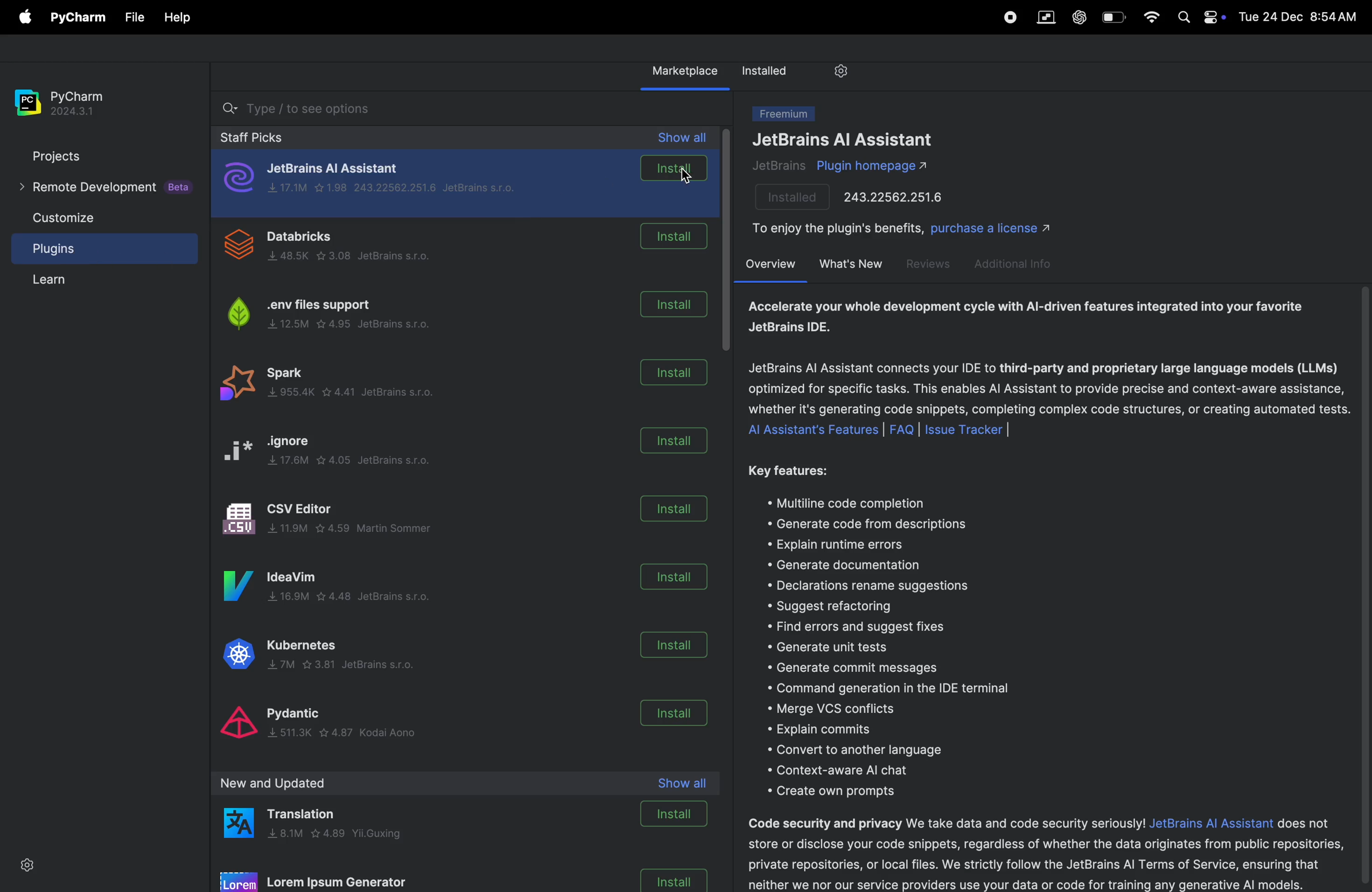 The width and height of the screenshot is (1372, 892). What do you see at coordinates (31, 864) in the screenshot?
I see `settings` at bounding box center [31, 864].